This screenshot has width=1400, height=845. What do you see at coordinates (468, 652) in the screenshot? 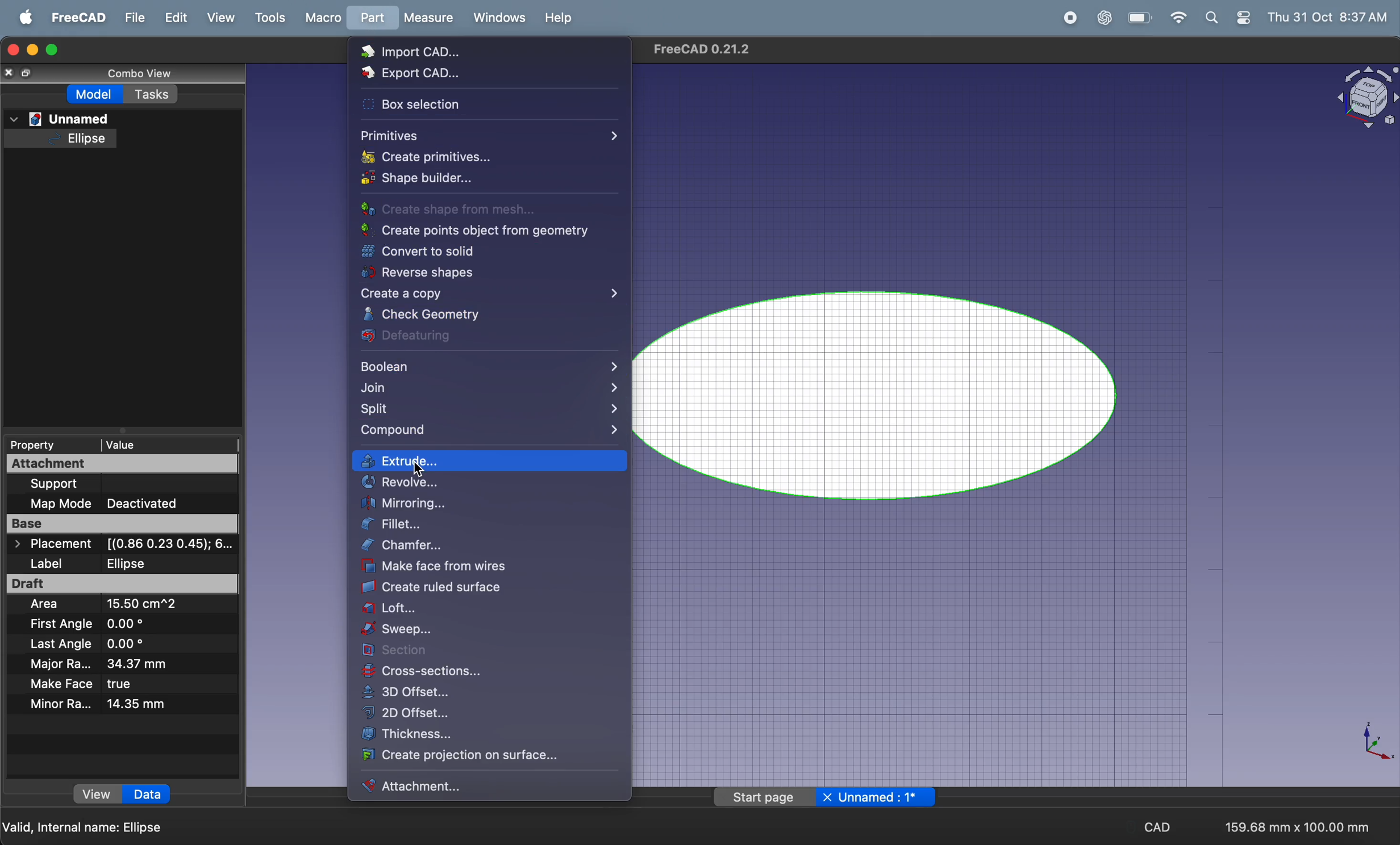
I see `section` at bounding box center [468, 652].